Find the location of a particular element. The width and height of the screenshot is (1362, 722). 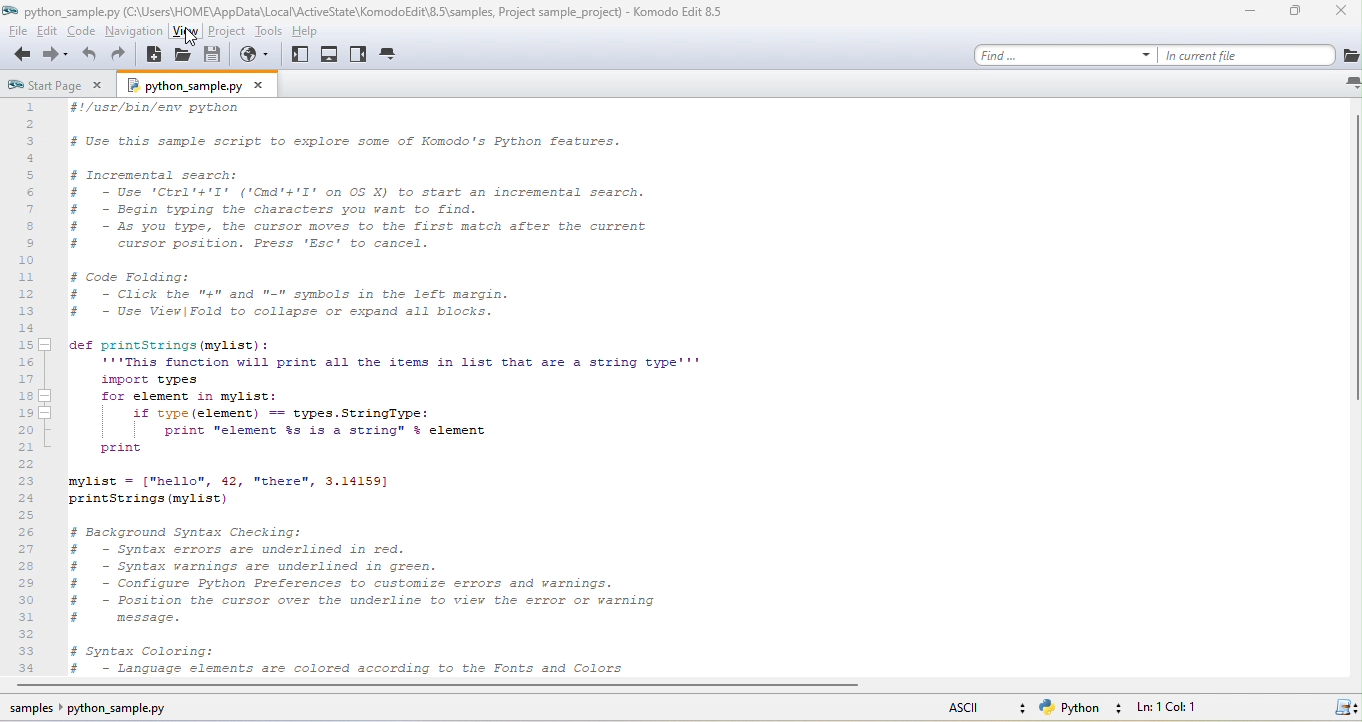

right pane is located at coordinates (361, 57).